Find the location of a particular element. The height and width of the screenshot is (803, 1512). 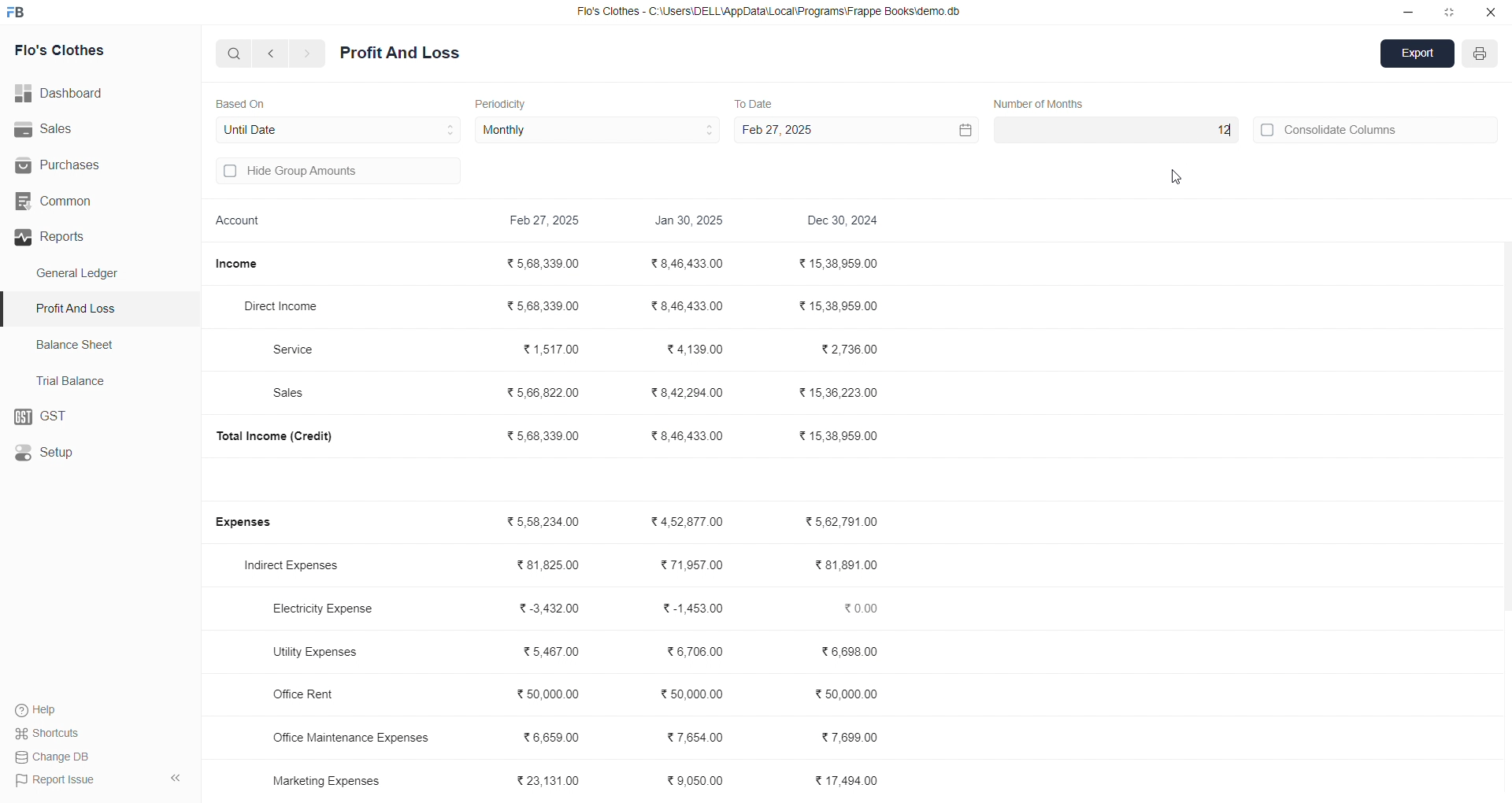

Office Maintenance Expenses is located at coordinates (351, 737).